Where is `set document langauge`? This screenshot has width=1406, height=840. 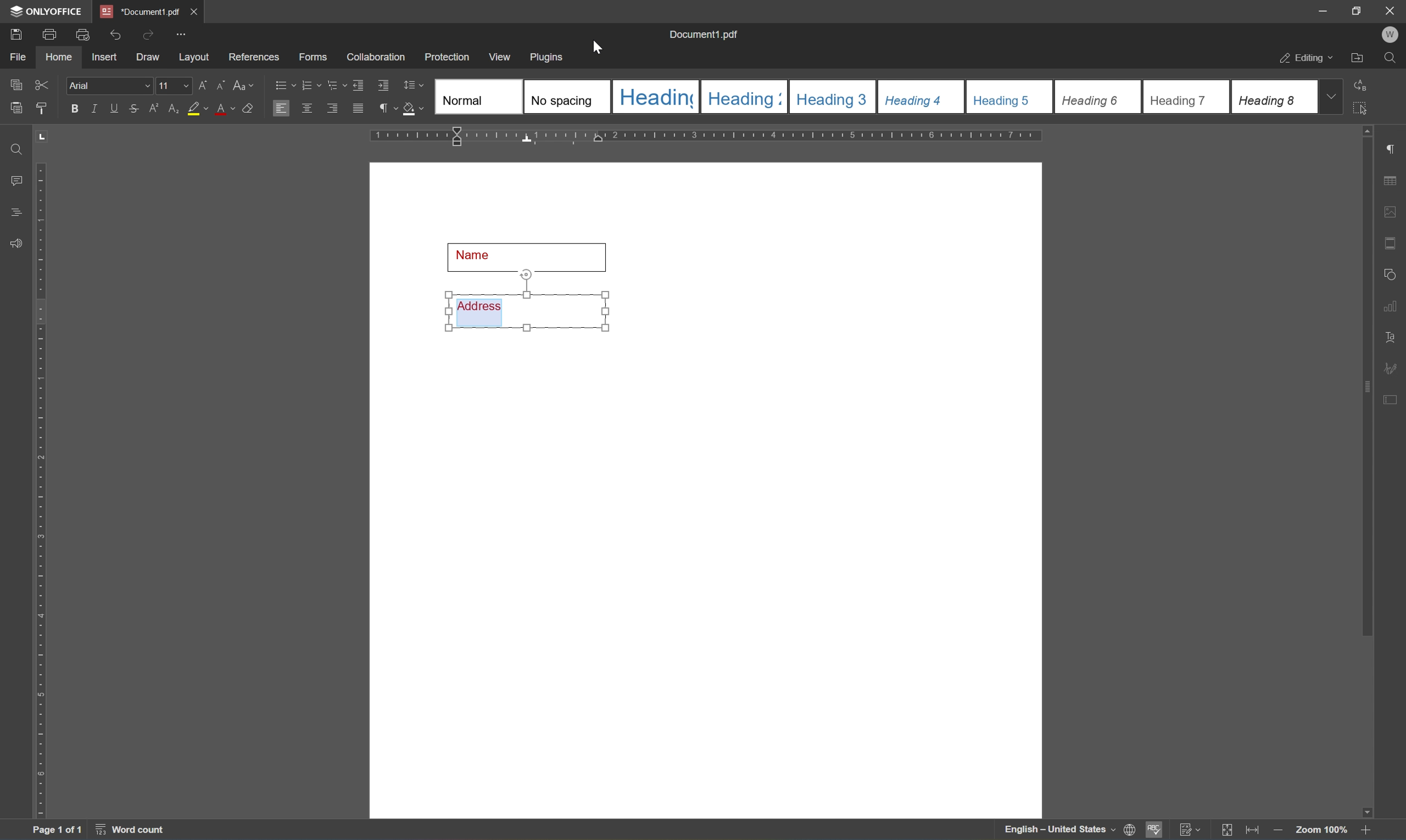 set document langauge is located at coordinates (1130, 830).